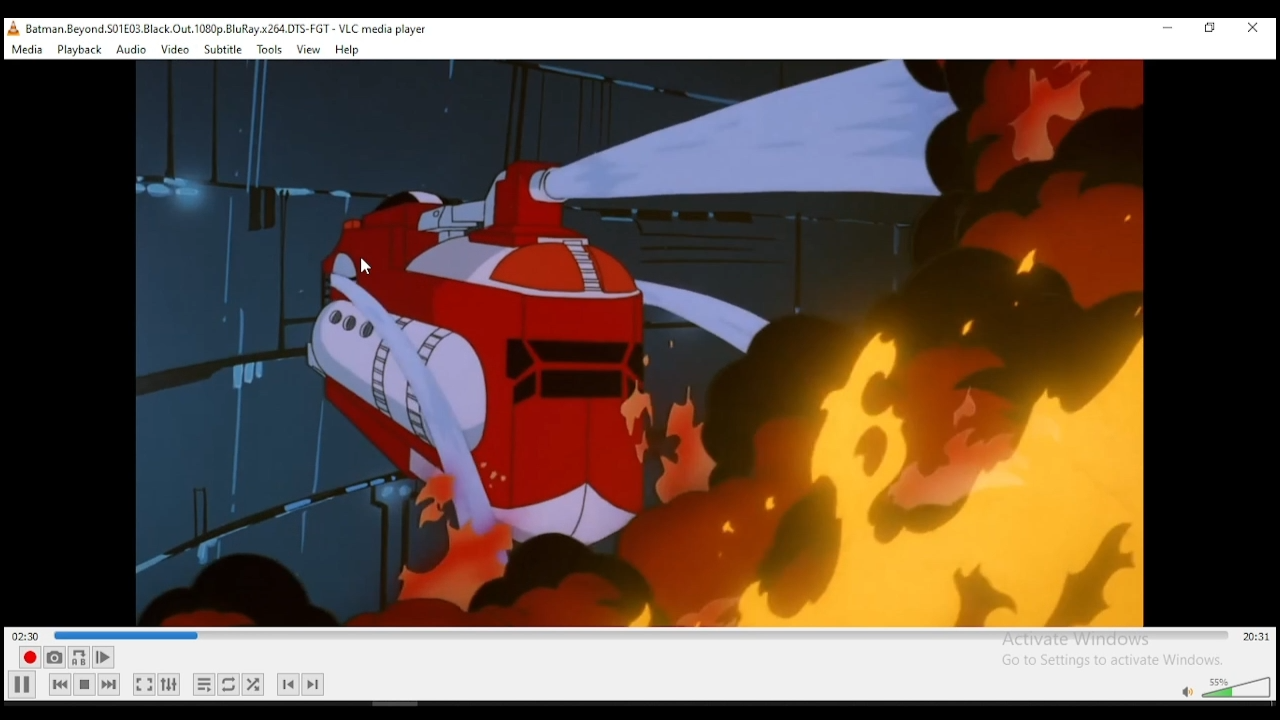  Describe the element at coordinates (80, 656) in the screenshot. I see `loop between point A and point B.. click to add point A` at that location.